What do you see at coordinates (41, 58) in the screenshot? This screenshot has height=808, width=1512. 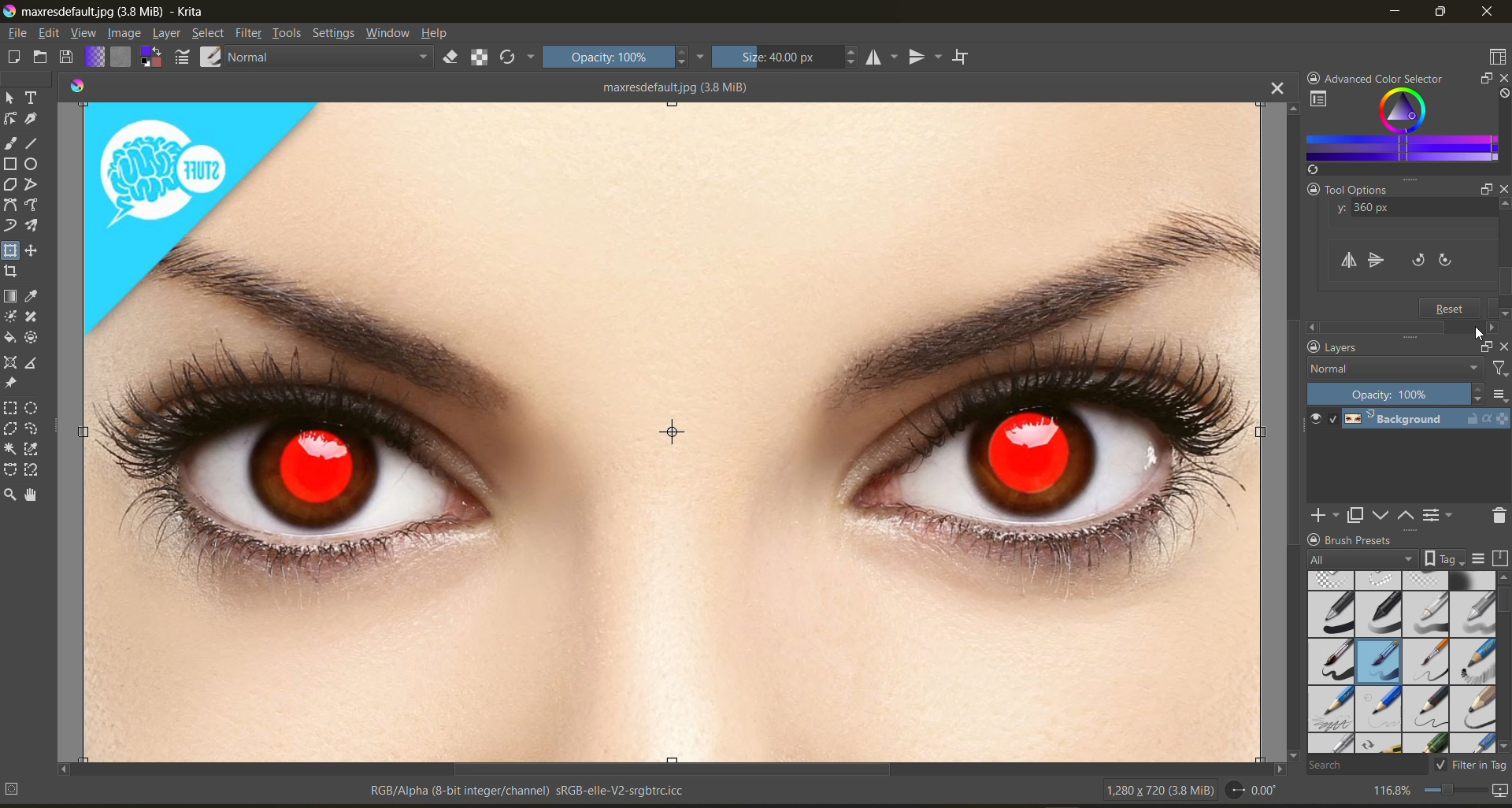 I see `open` at bounding box center [41, 58].